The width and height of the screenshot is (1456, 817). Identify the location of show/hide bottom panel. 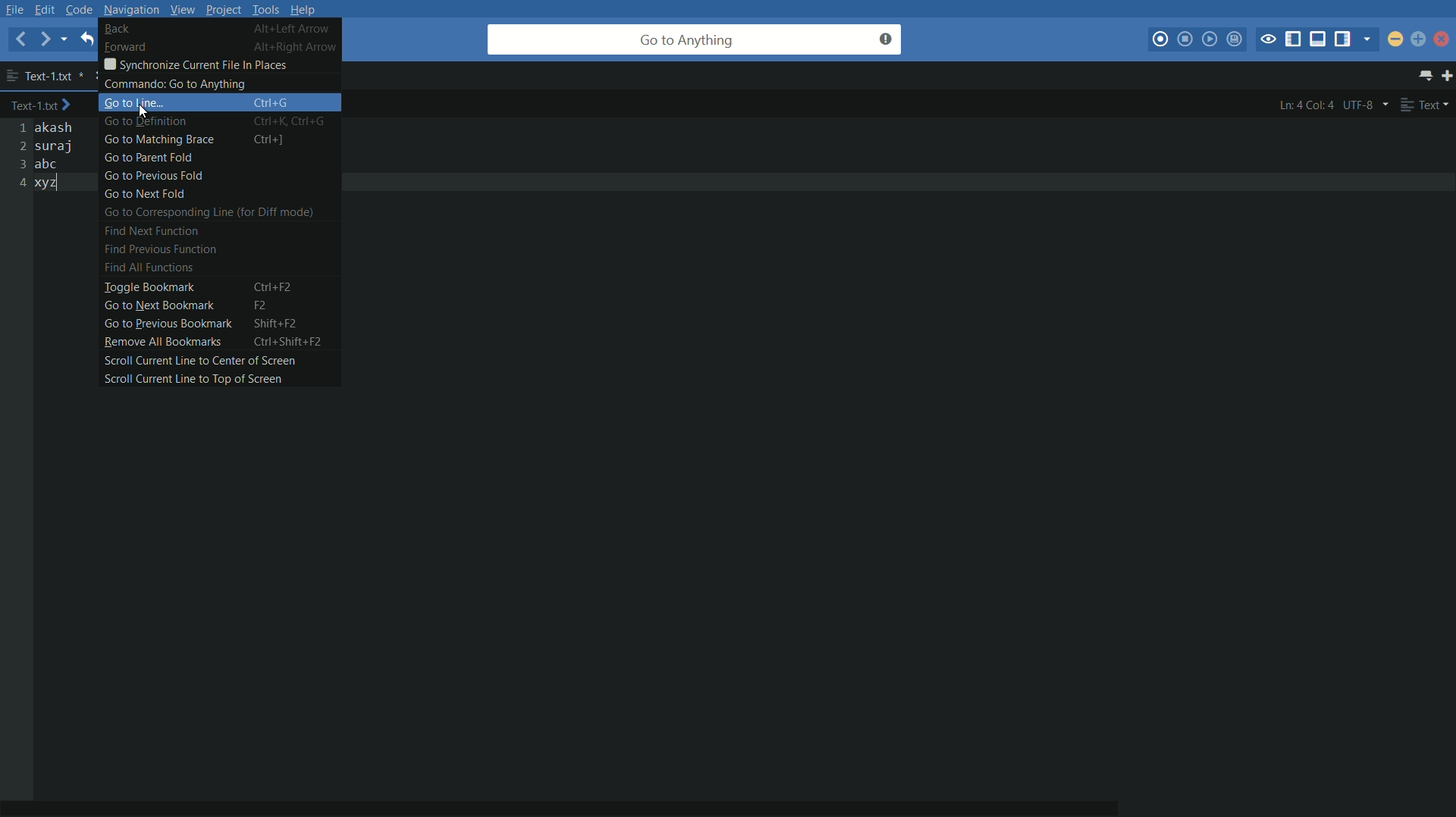
(1319, 39).